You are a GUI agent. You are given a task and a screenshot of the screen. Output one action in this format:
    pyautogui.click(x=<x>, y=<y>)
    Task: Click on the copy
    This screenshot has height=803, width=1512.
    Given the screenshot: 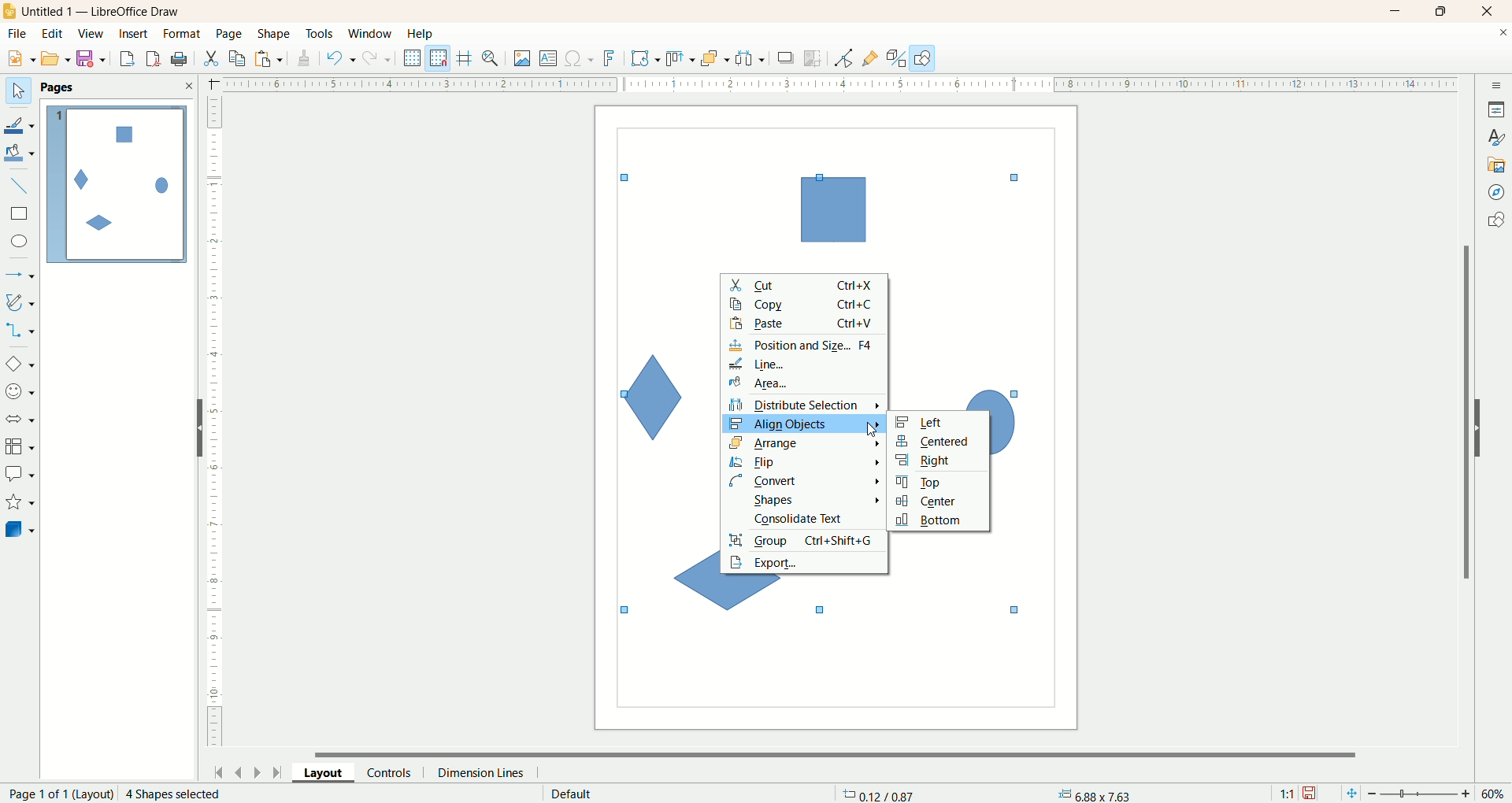 What is the action you would take?
    pyautogui.click(x=805, y=304)
    